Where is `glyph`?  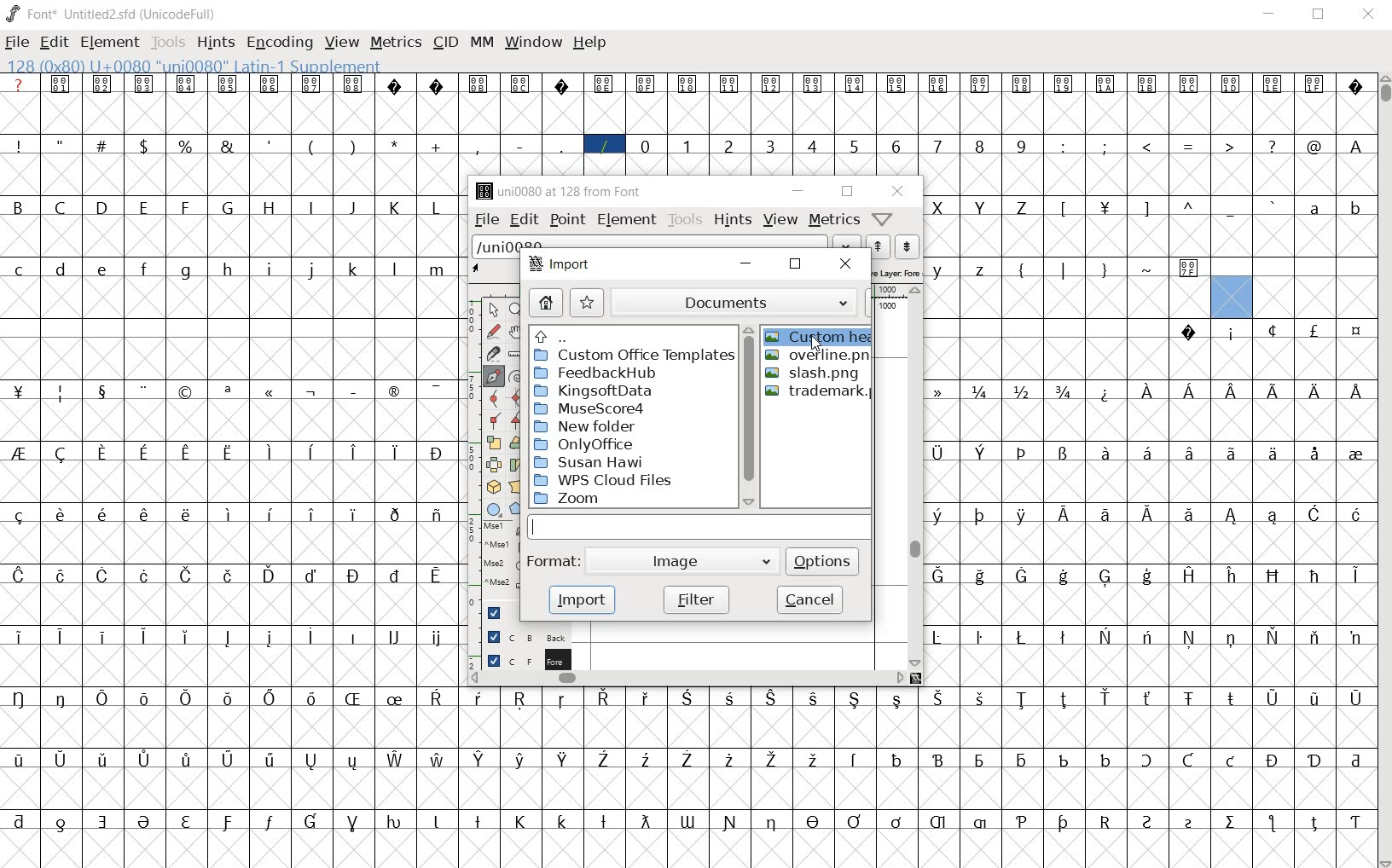
glyph is located at coordinates (1272, 146).